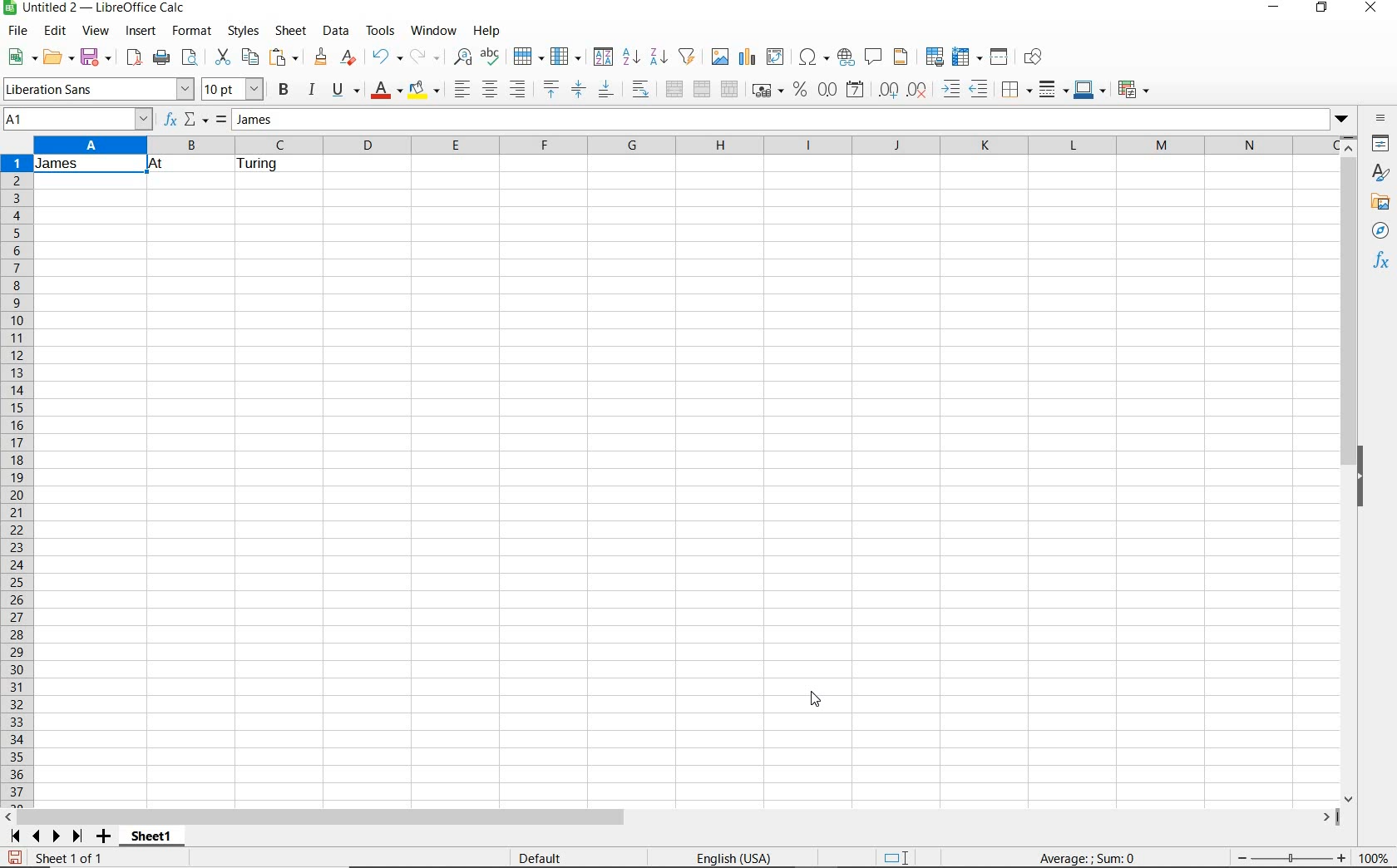 The width and height of the screenshot is (1397, 868). I want to click on zoom out or zoom in, so click(1290, 856).